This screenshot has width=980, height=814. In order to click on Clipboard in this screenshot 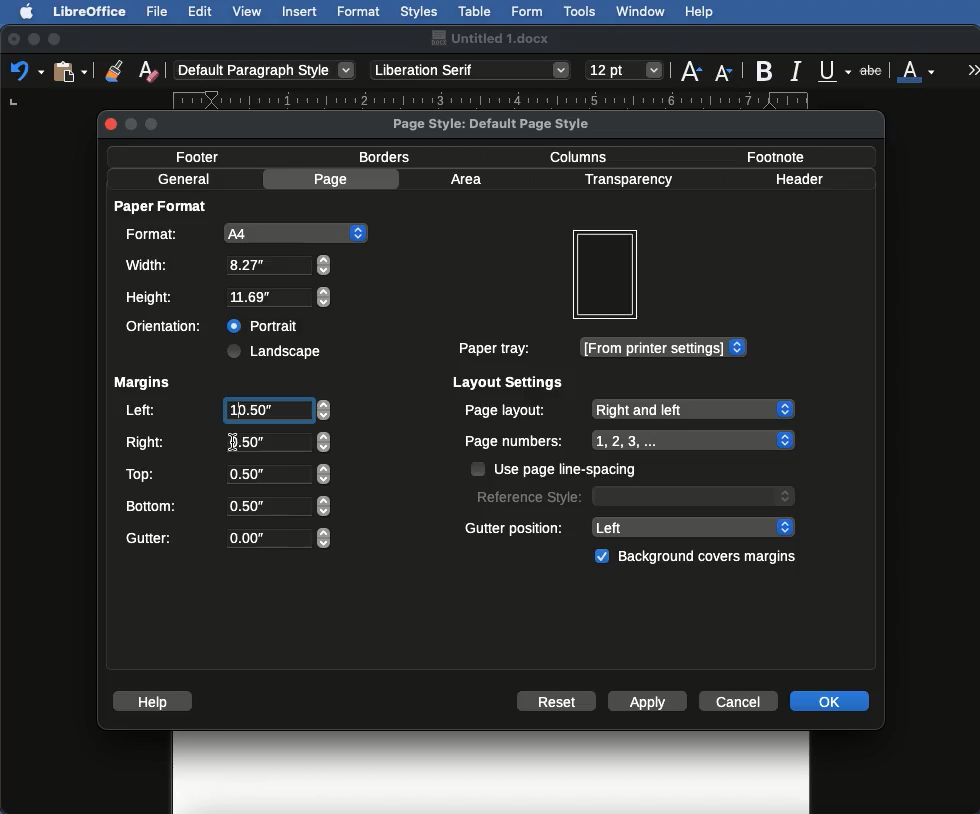, I will do `click(70, 70)`.